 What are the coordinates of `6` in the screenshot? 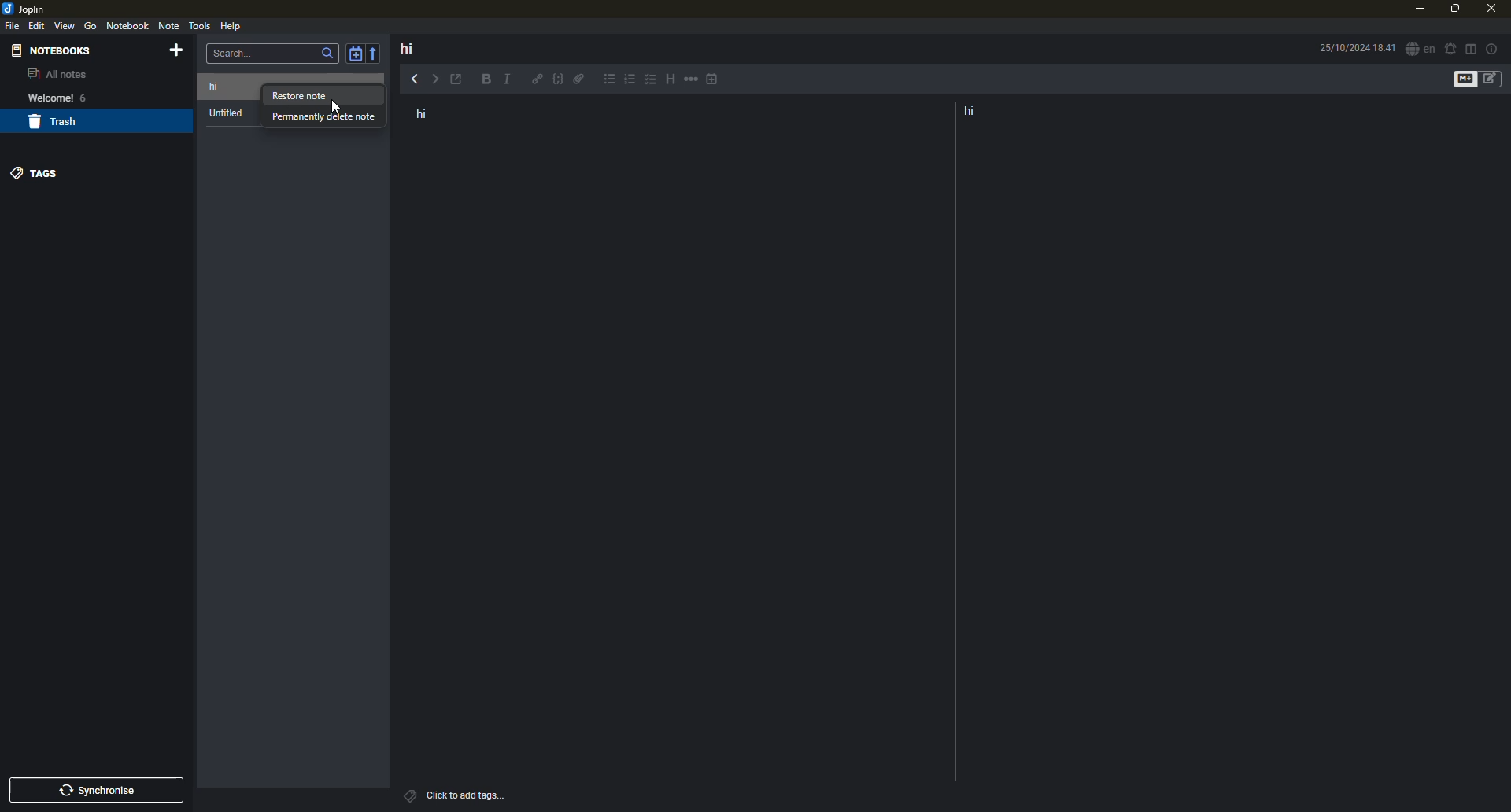 It's located at (89, 97).